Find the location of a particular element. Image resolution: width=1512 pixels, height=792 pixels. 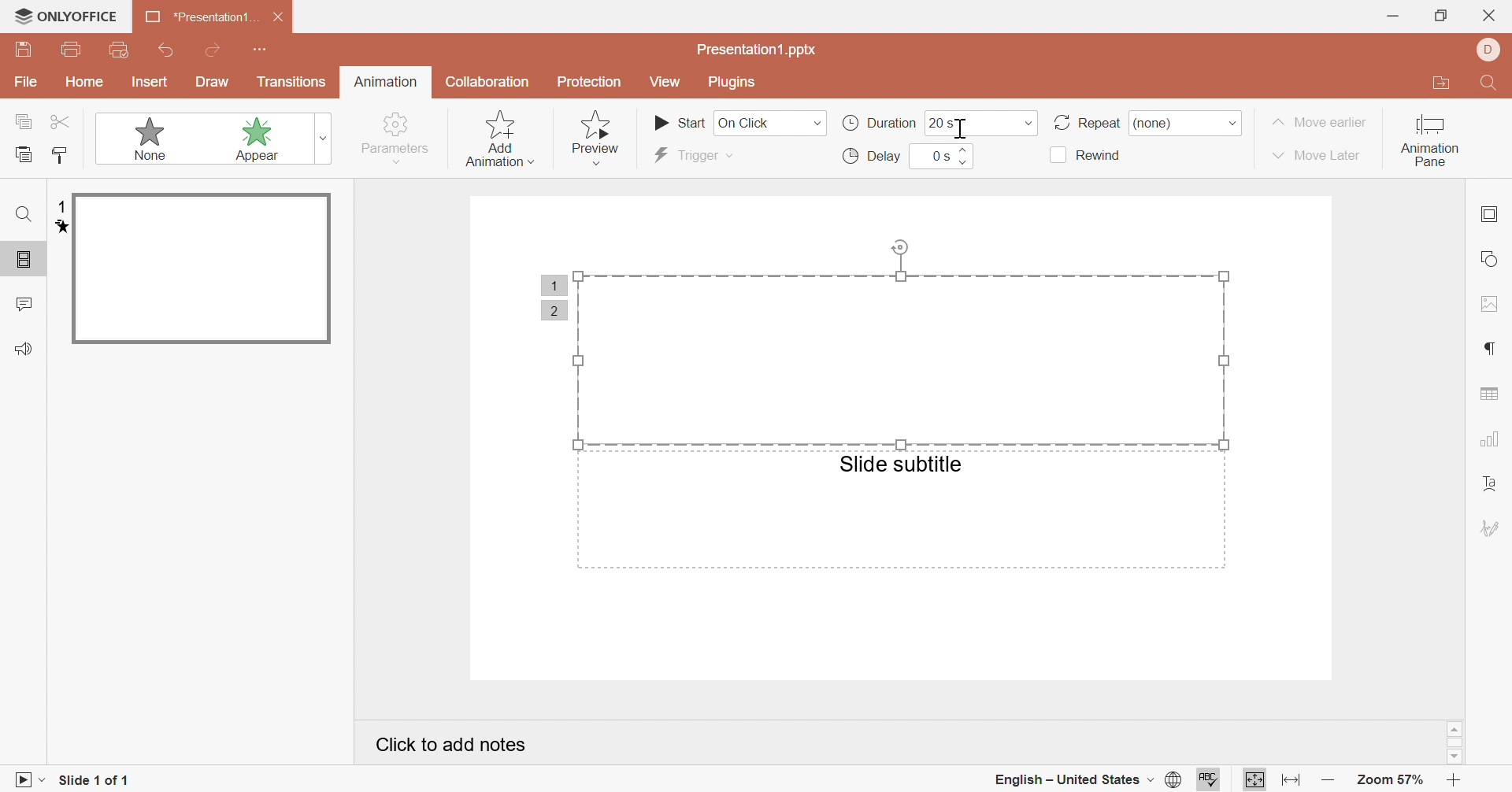

selected area is located at coordinates (902, 340).